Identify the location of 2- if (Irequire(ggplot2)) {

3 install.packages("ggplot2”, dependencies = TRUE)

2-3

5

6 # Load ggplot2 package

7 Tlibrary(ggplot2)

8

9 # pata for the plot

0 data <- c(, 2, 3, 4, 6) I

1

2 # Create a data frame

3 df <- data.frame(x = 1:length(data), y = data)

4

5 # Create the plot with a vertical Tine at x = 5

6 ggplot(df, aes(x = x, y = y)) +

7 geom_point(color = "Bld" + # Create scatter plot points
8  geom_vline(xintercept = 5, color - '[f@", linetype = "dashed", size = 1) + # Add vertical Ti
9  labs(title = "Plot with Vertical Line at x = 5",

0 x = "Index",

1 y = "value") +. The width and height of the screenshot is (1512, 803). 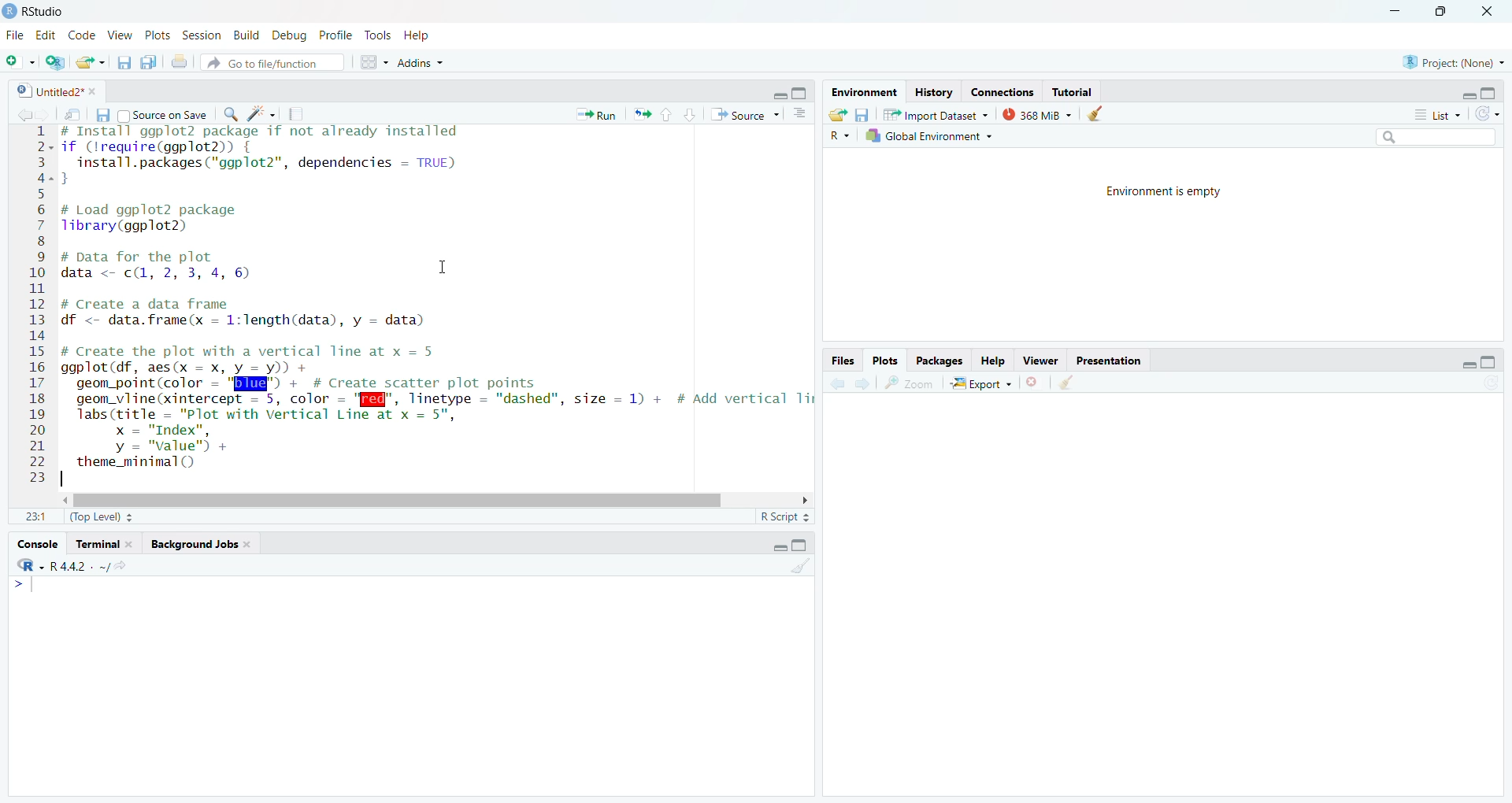
(417, 301).